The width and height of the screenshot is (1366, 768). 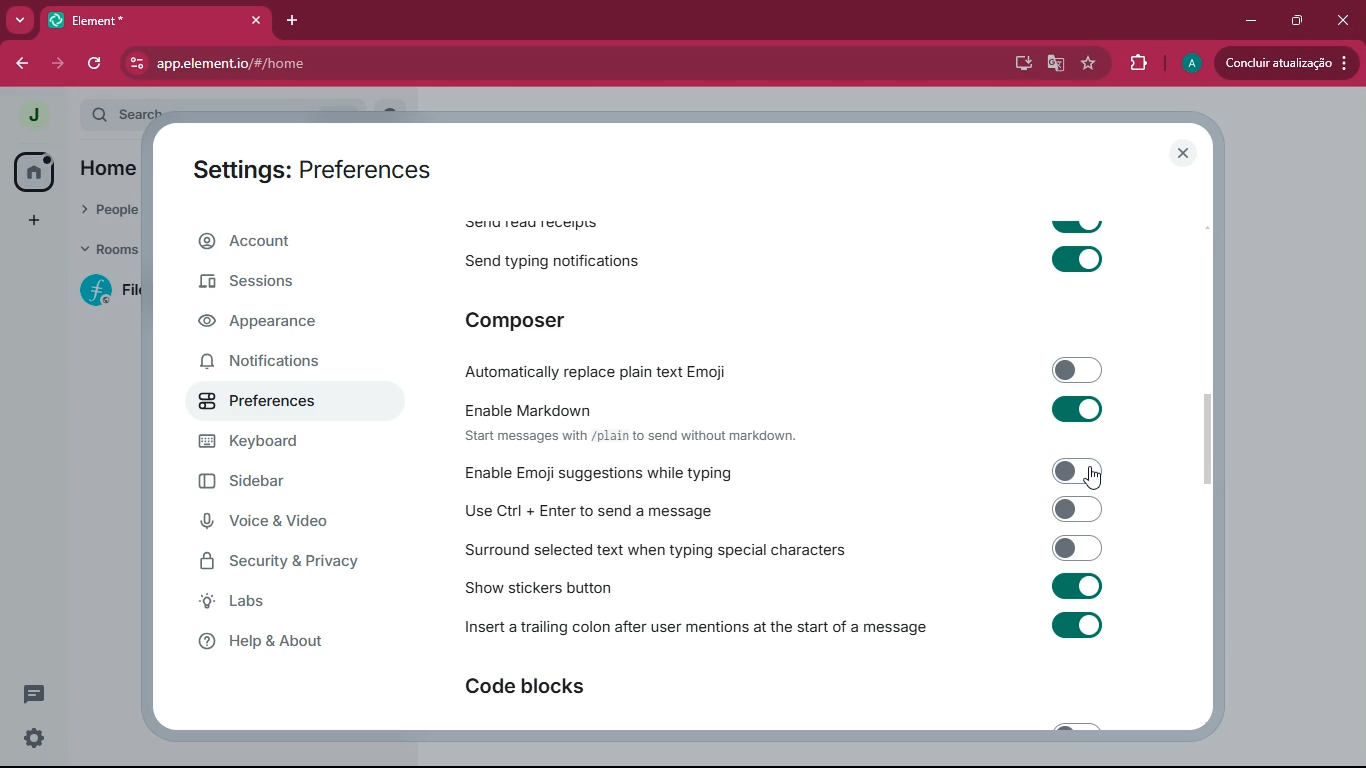 I want to click on home, so click(x=34, y=170).